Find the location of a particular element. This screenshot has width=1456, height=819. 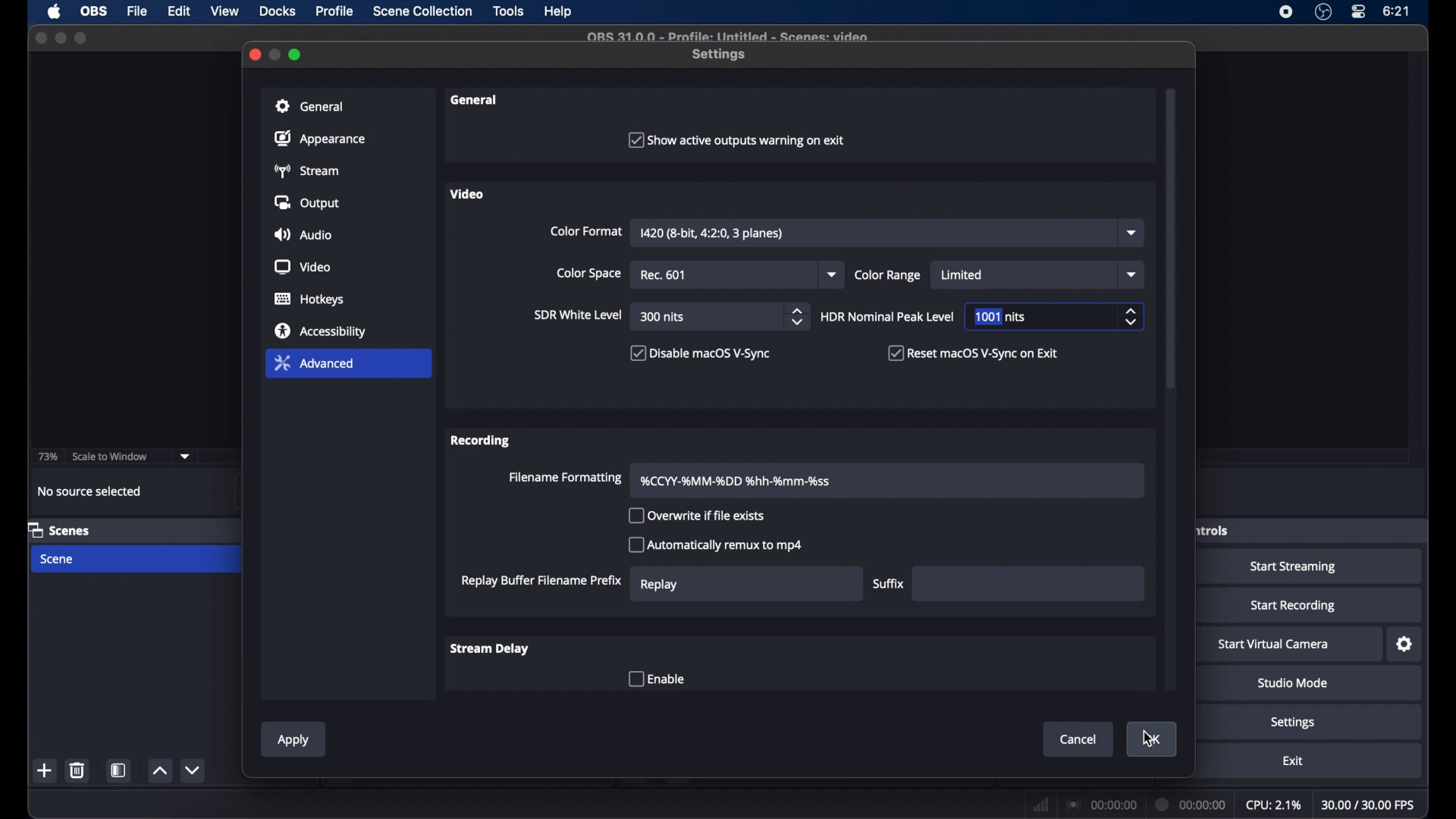

[*) Automatically remux to mp4 is located at coordinates (718, 547).